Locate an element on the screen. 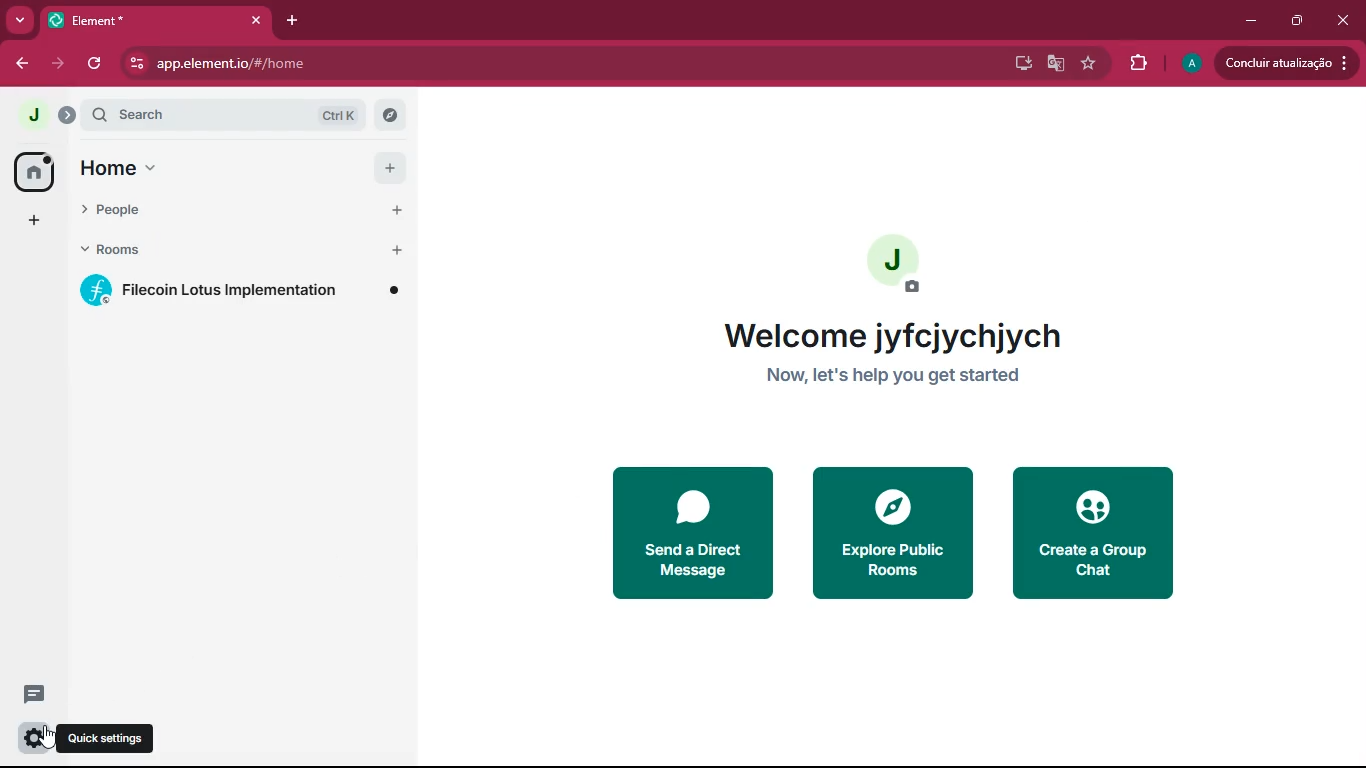 This screenshot has height=768, width=1366. add is located at coordinates (30, 224).